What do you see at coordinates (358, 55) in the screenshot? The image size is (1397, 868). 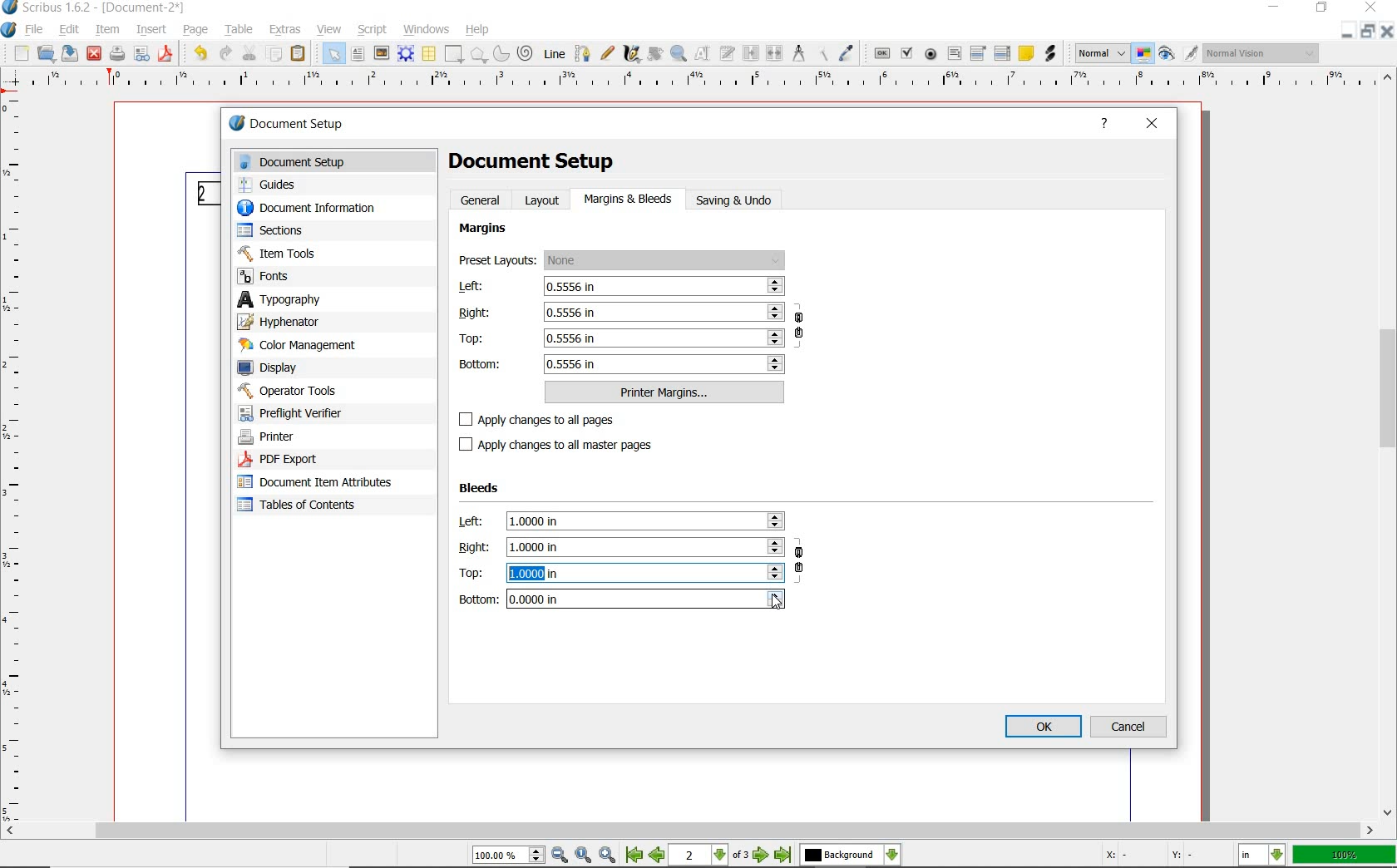 I see `text frame` at bounding box center [358, 55].